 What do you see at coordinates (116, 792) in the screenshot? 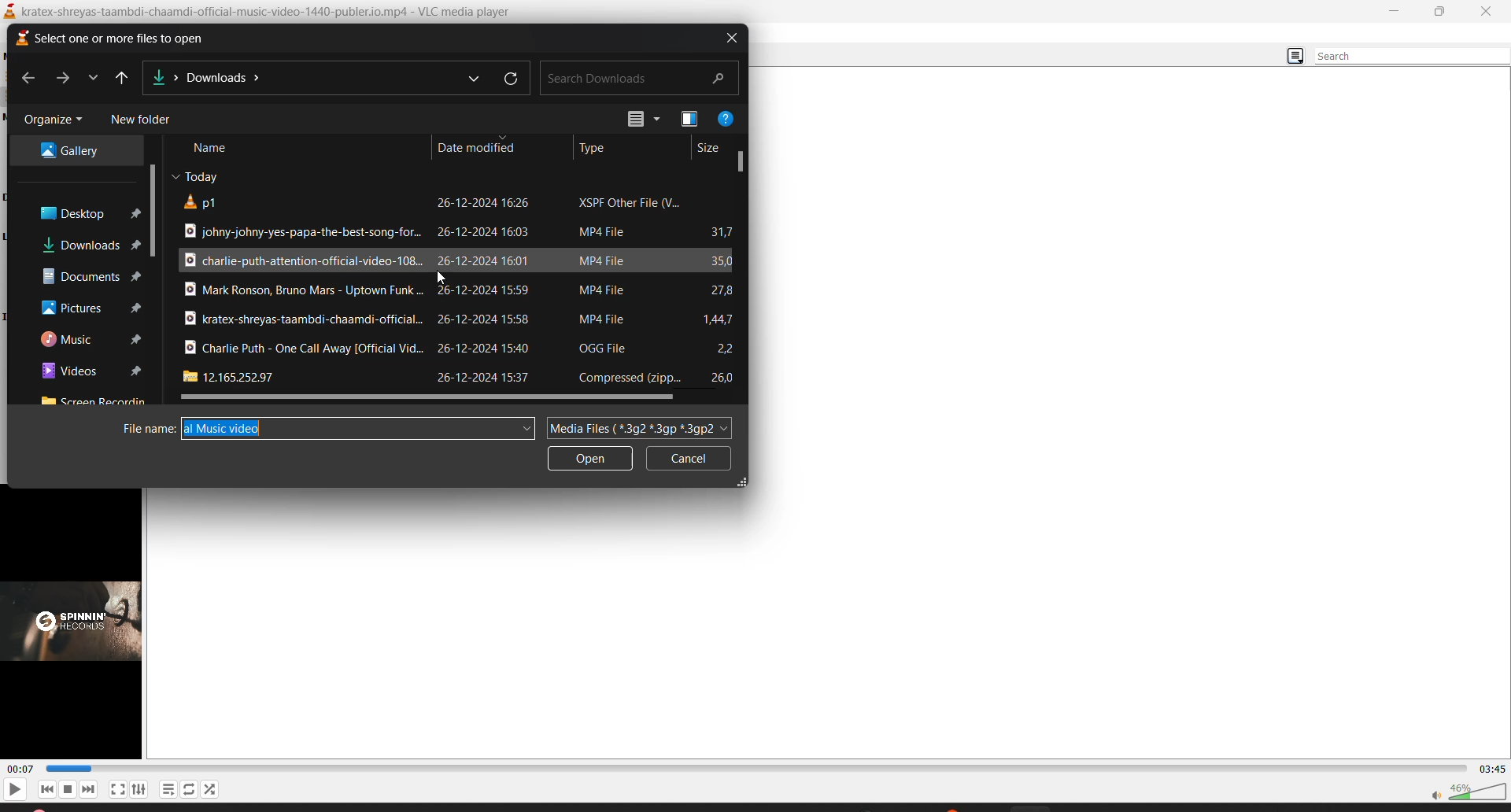
I see `fullscreen` at bounding box center [116, 792].